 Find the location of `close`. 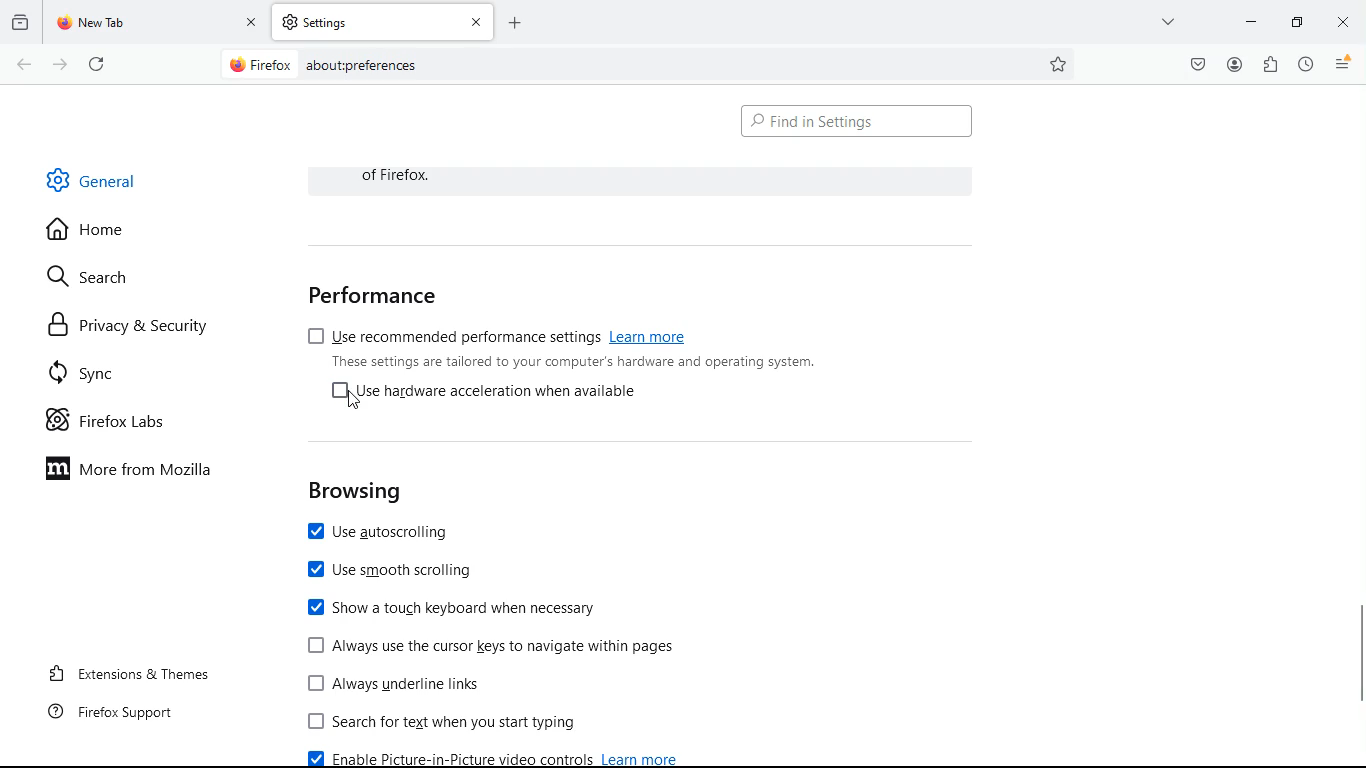

close is located at coordinates (1343, 21).